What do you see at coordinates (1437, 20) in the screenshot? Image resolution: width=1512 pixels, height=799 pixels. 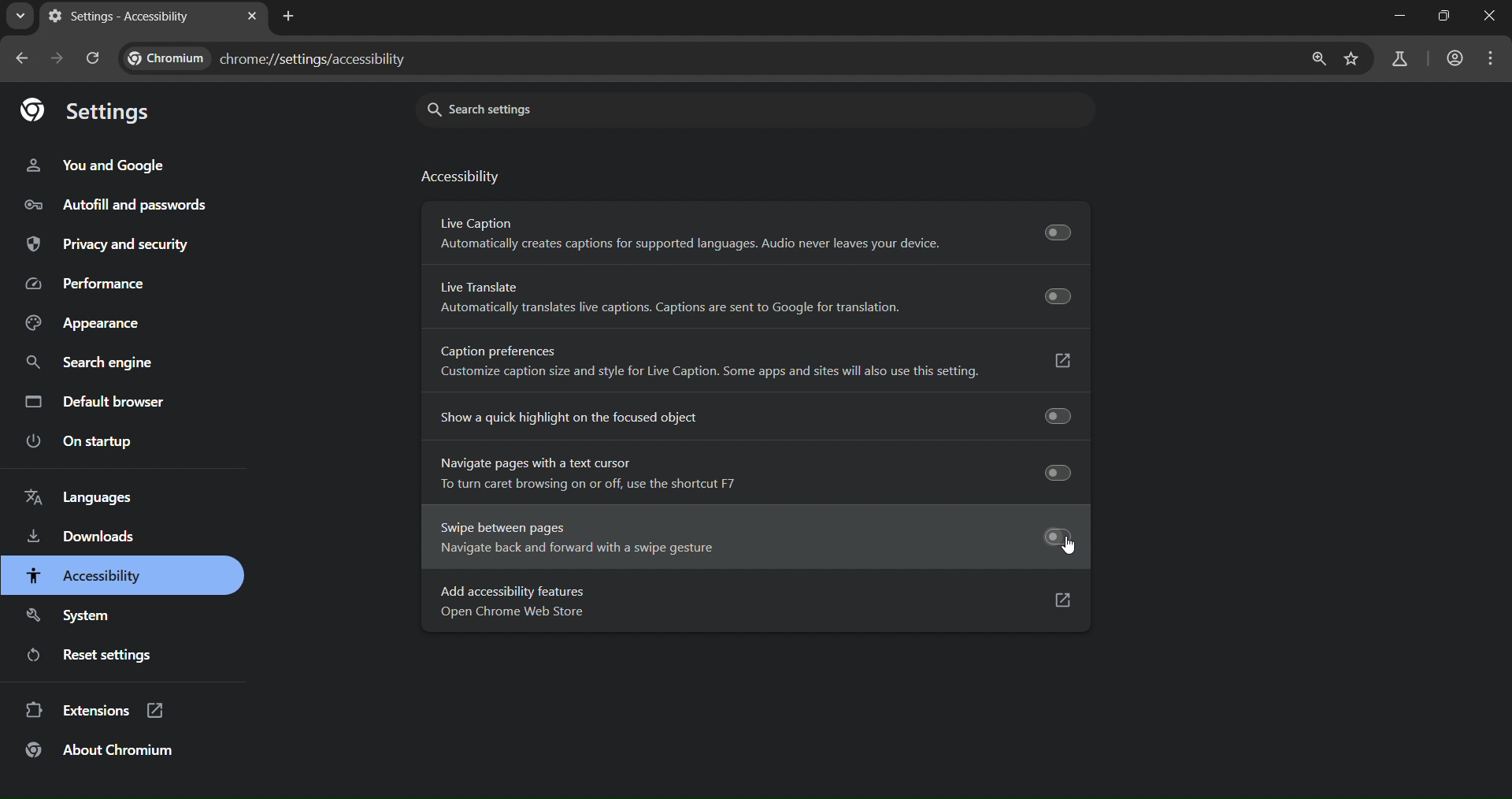 I see `adjust window` at bounding box center [1437, 20].